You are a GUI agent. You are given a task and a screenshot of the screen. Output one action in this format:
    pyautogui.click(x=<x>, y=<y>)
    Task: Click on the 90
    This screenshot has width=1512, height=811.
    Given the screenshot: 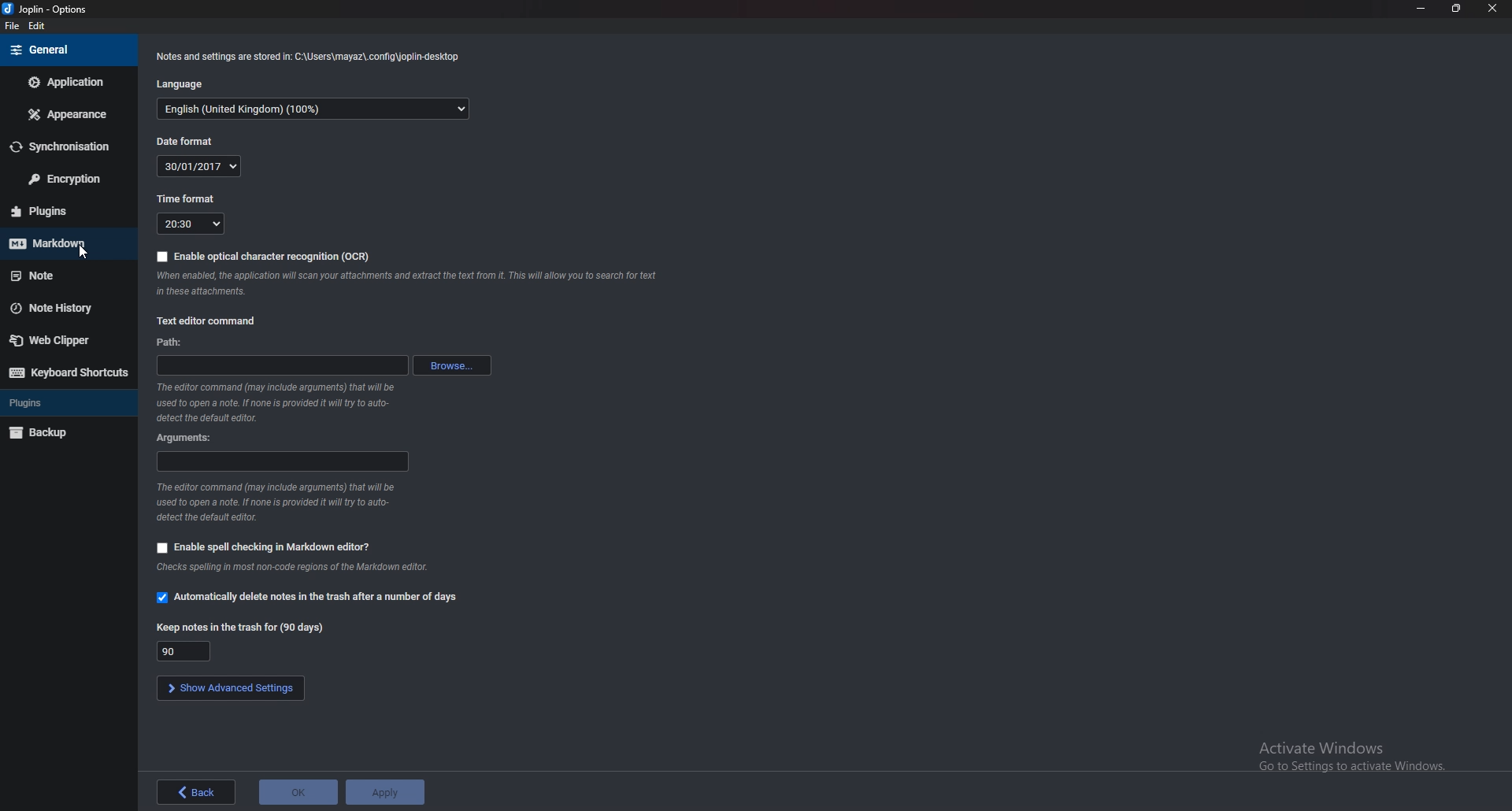 What is the action you would take?
    pyautogui.click(x=183, y=650)
    